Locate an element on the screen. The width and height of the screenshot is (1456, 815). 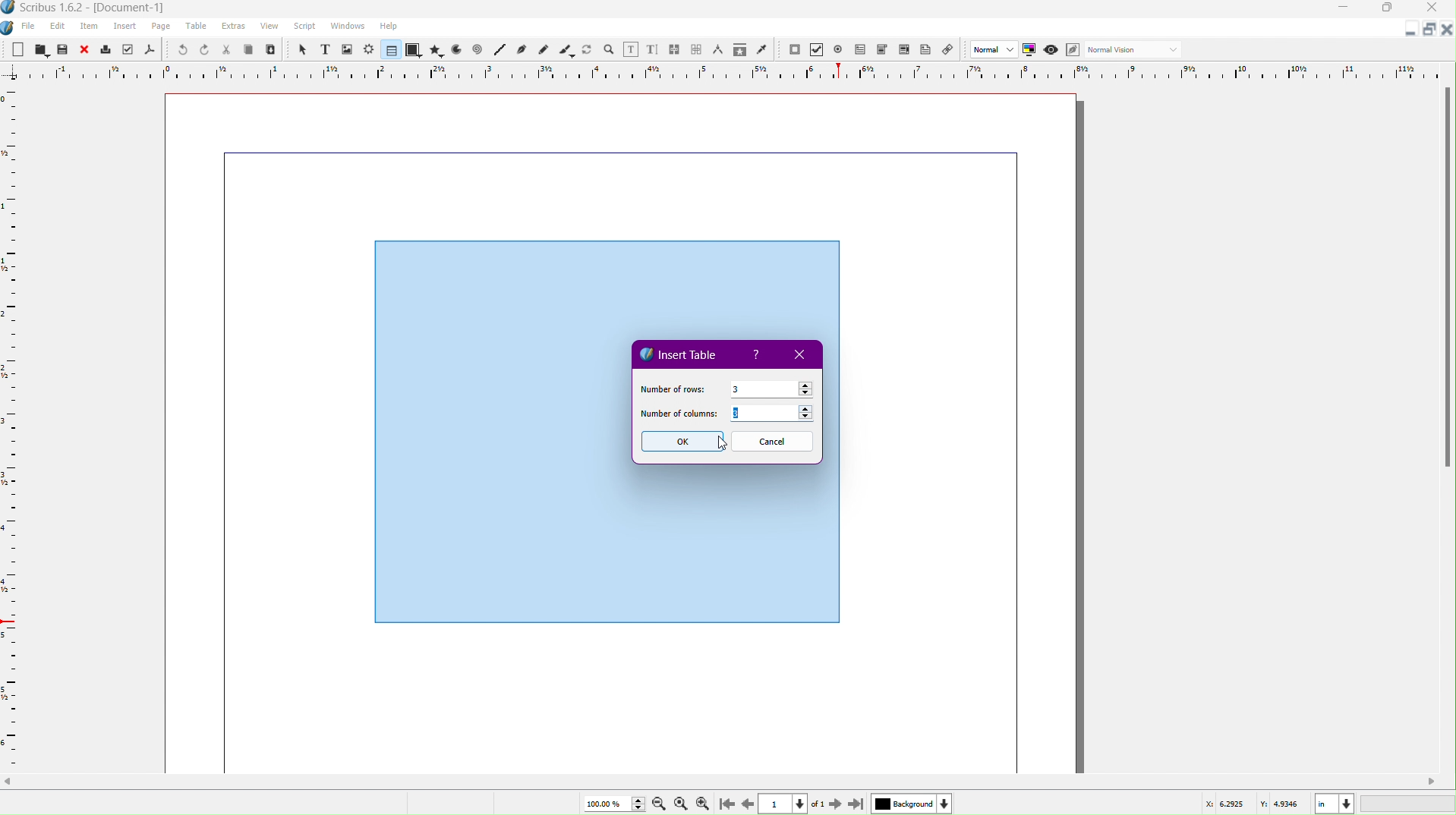
Scrollbar is located at coordinates (728, 782).